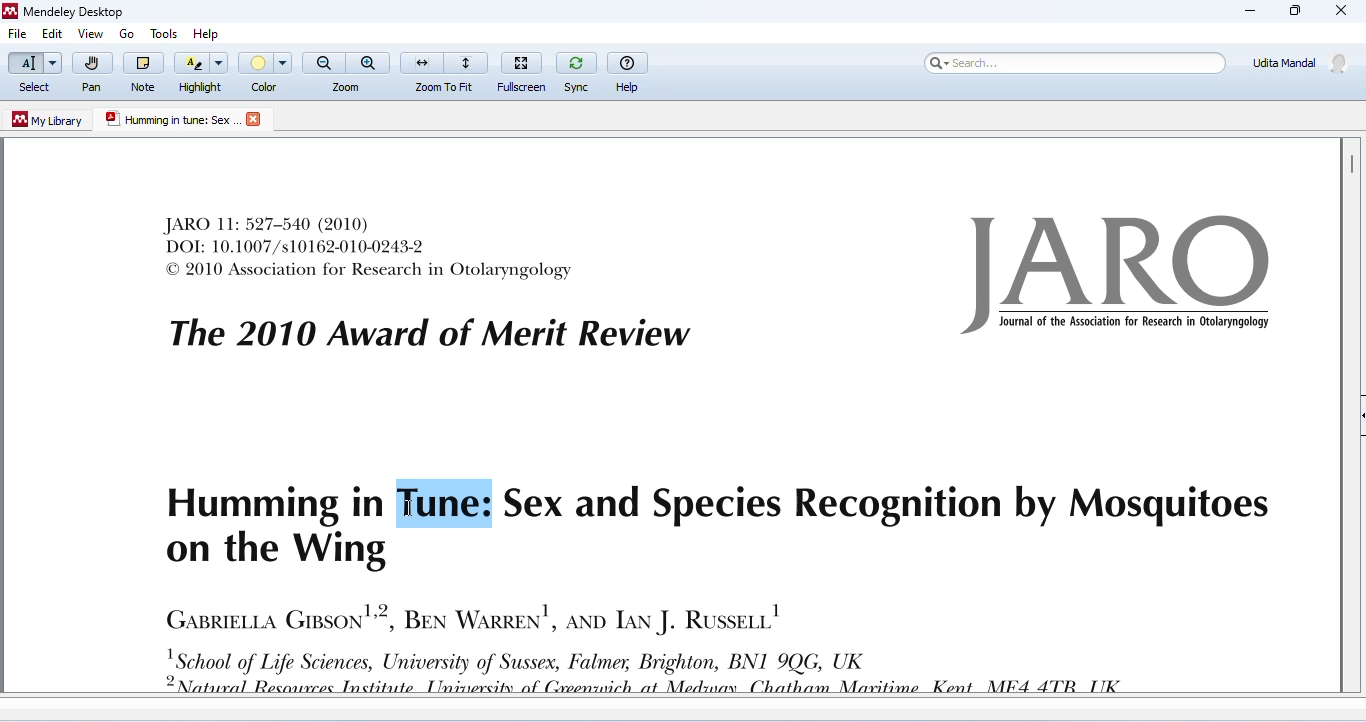  What do you see at coordinates (51, 35) in the screenshot?
I see `edit` at bounding box center [51, 35].